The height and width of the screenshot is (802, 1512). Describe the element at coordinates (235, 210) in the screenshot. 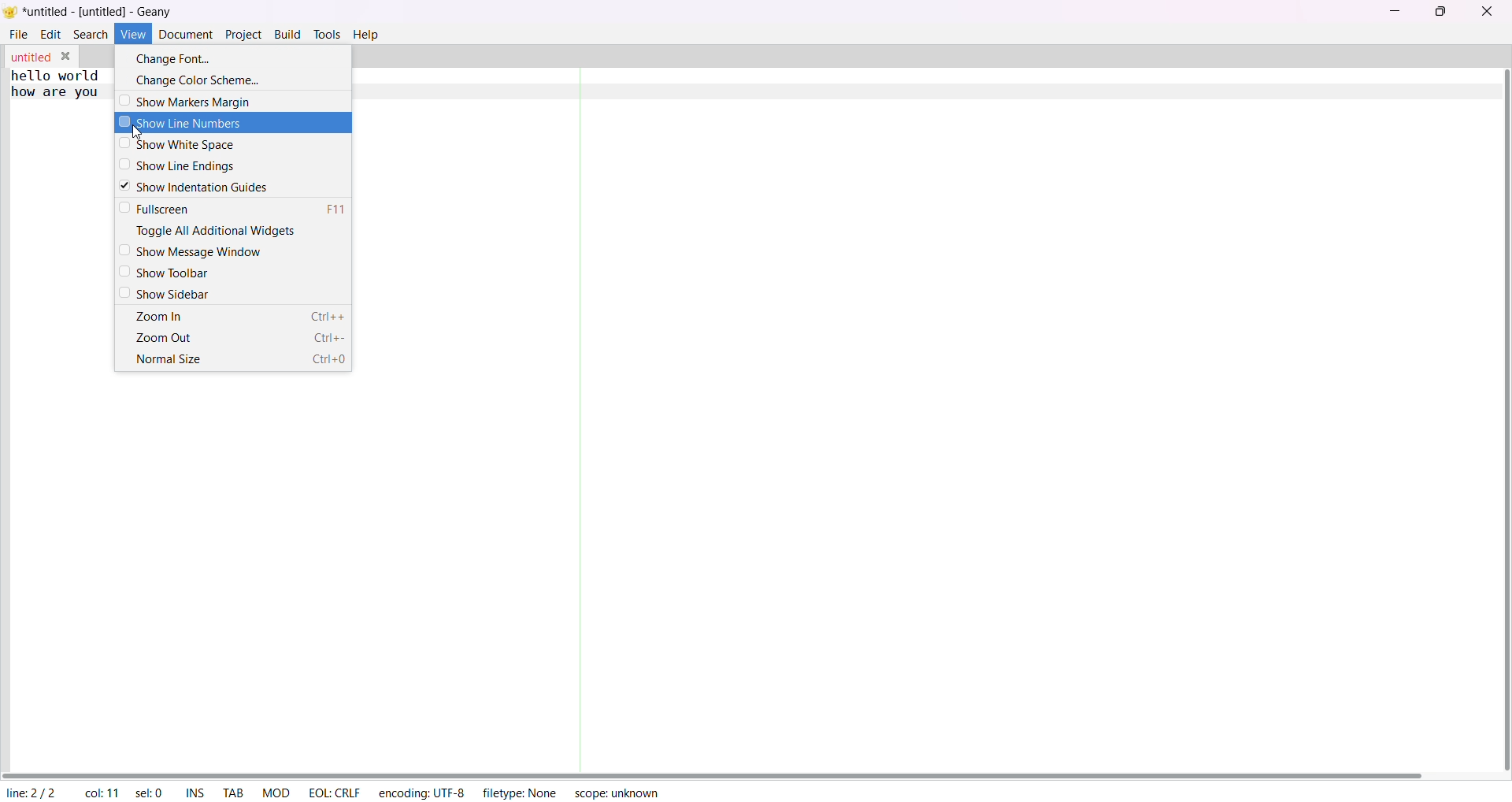

I see `fullscreen` at that location.